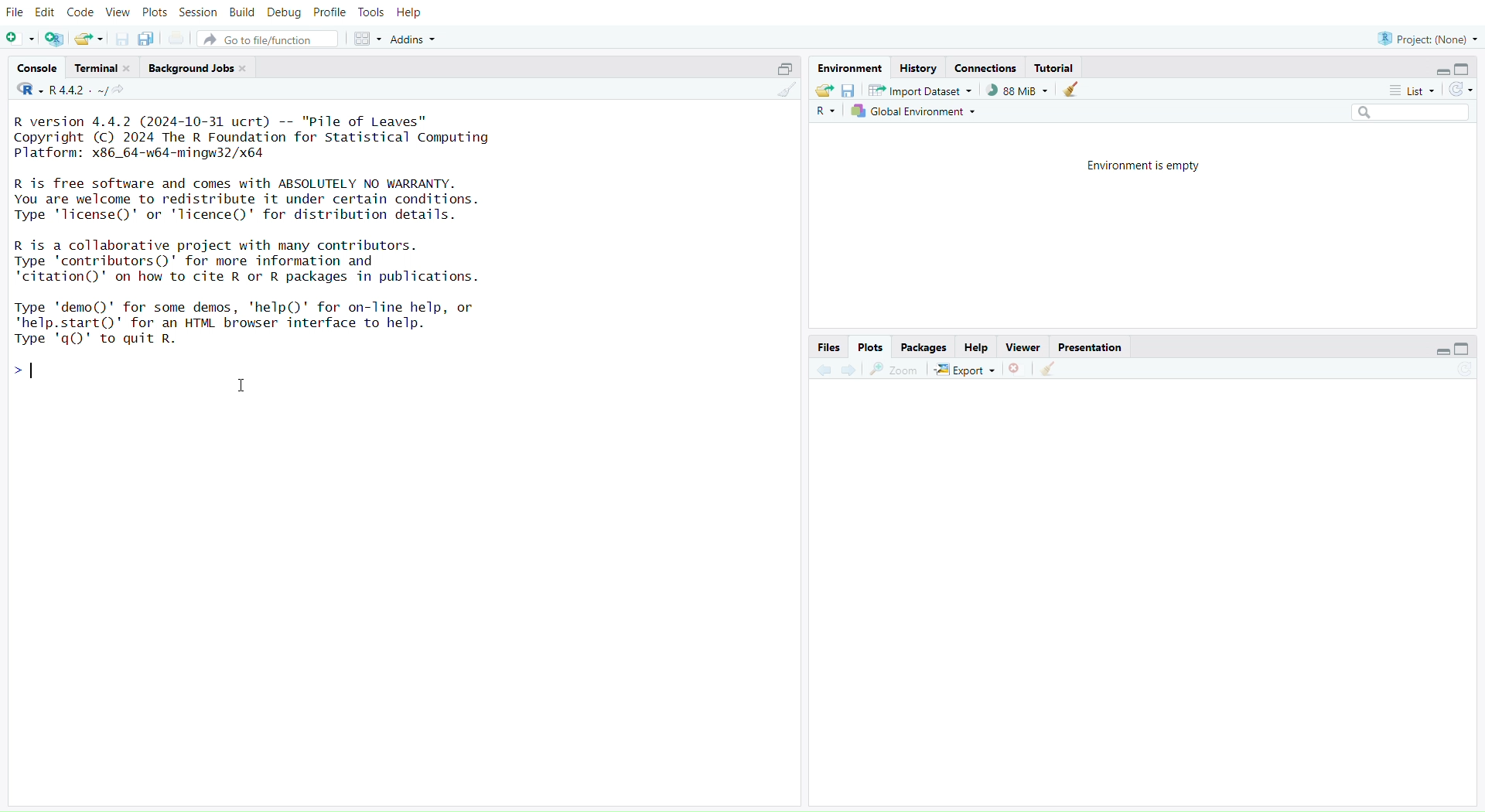 This screenshot has height=812, width=1485. What do you see at coordinates (918, 68) in the screenshot?
I see `history` at bounding box center [918, 68].